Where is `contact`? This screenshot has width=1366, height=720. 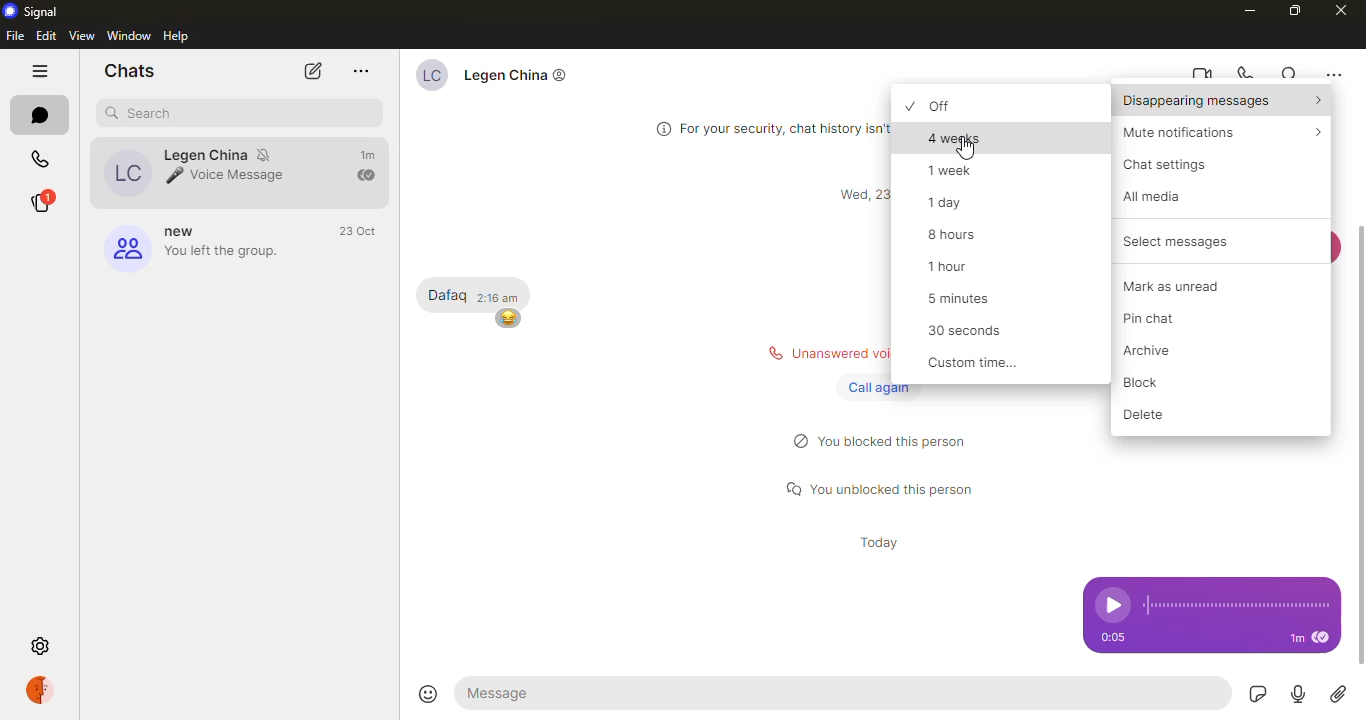
contact is located at coordinates (507, 79).